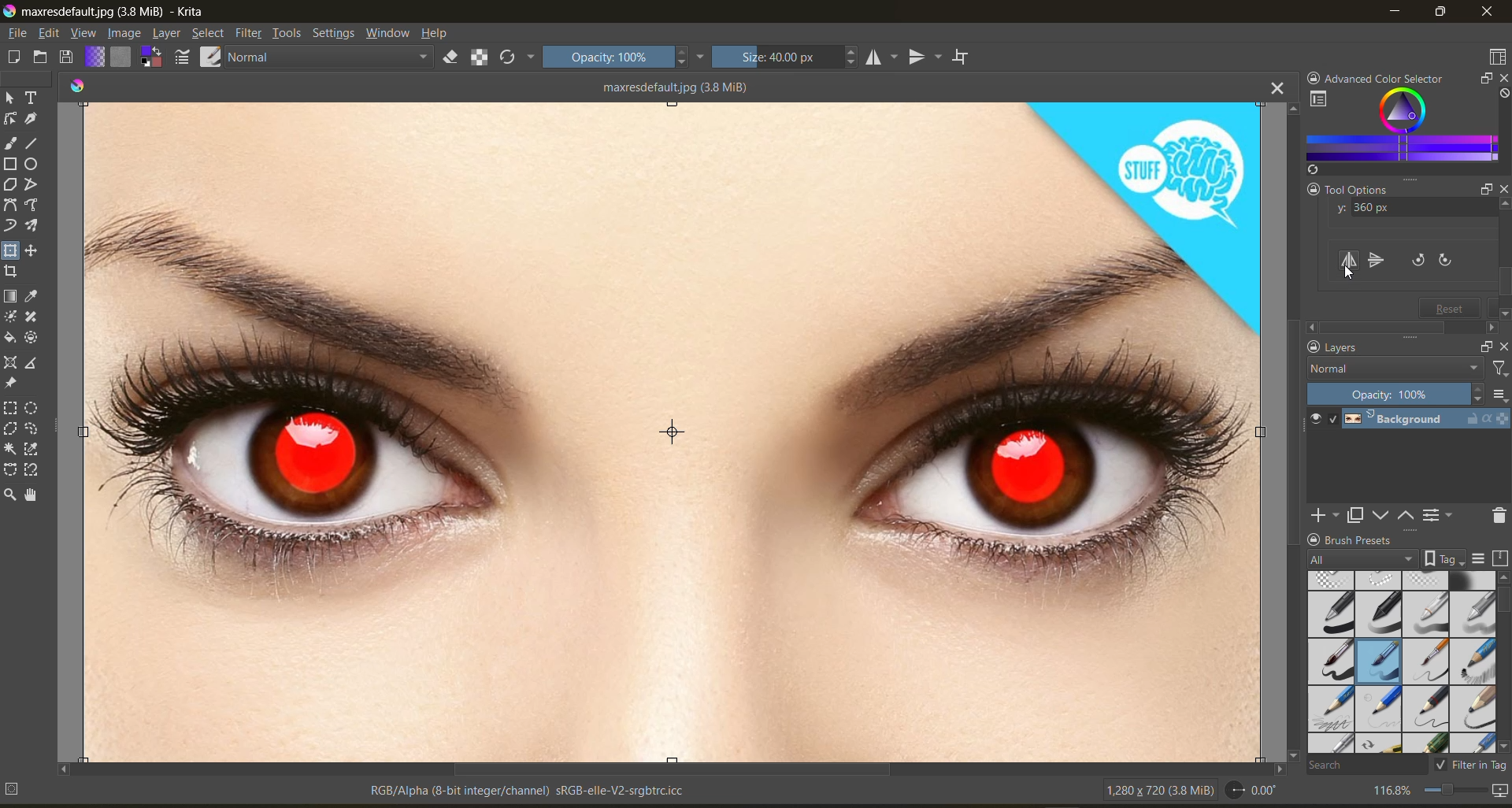 This screenshot has width=1512, height=808. Describe the element at coordinates (439, 34) in the screenshot. I see `help` at that location.